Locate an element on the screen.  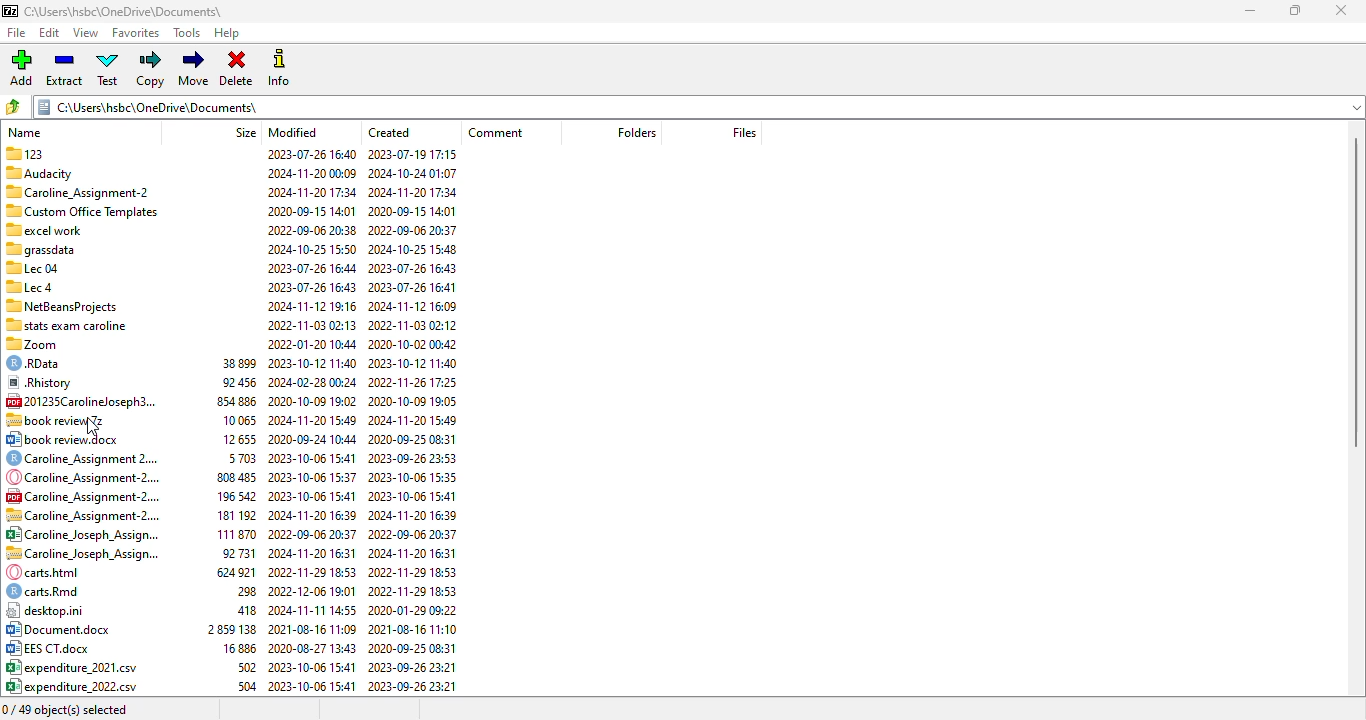
modified is located at coordinates (292, 132).